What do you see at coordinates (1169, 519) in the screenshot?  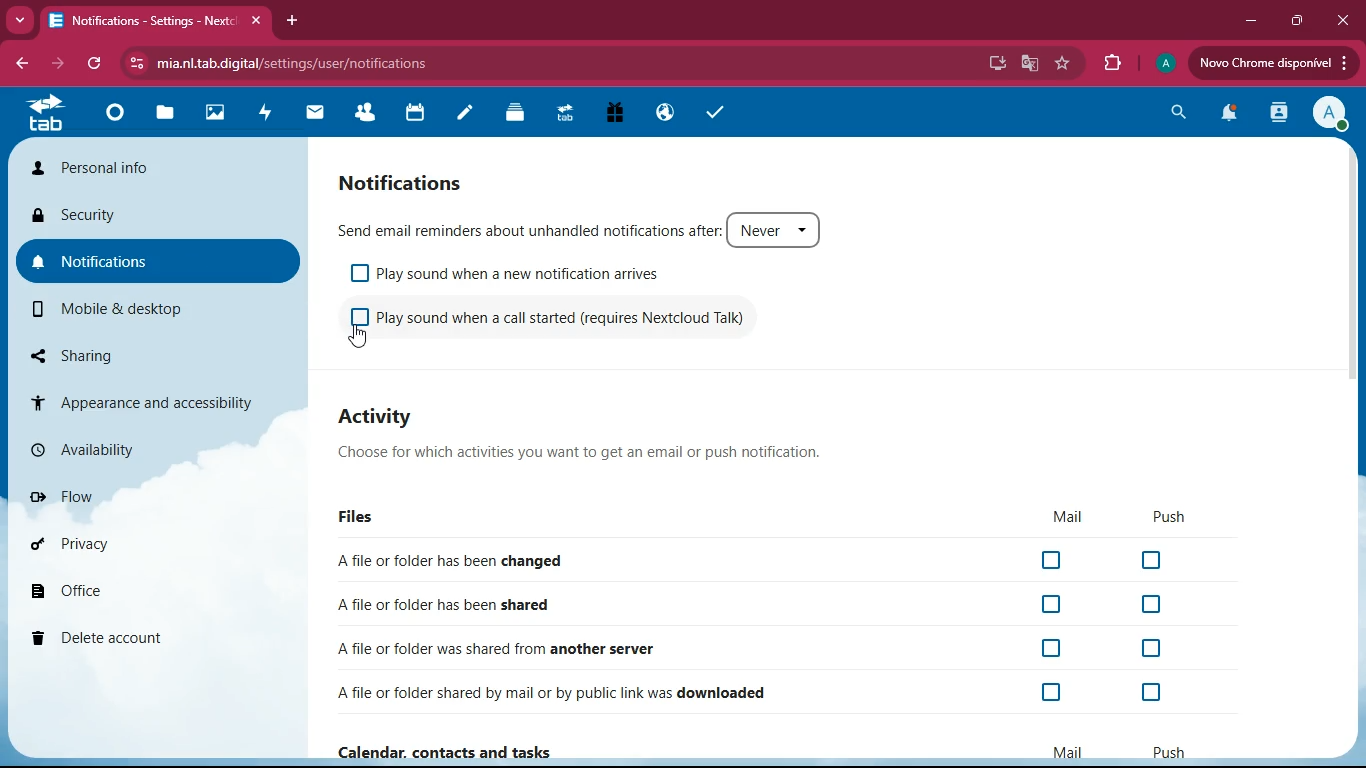 I see `push` at bounding box center [1169, 519].